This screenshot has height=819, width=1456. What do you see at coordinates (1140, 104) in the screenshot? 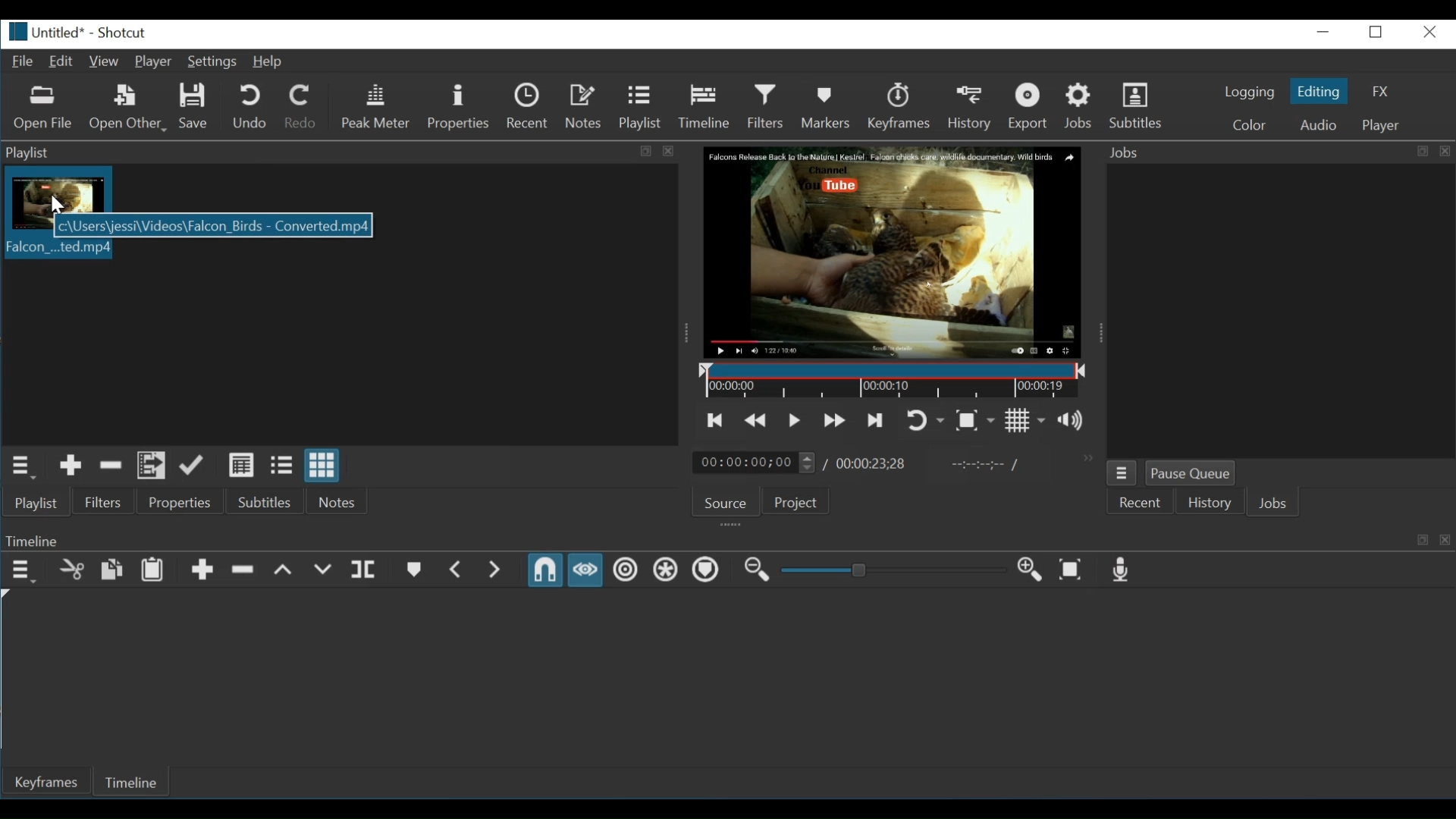
I see `Subtitles` at bounding box center [1140, 104].